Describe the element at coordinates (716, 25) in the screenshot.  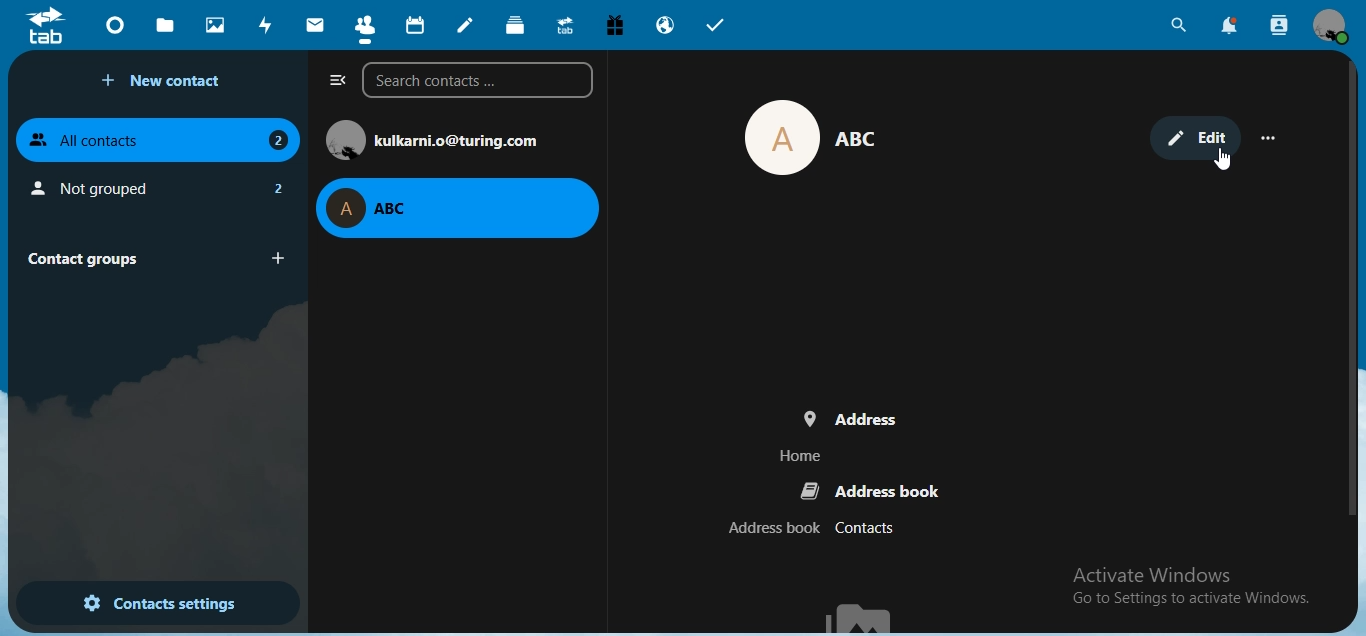
I see `tasks` at that location.